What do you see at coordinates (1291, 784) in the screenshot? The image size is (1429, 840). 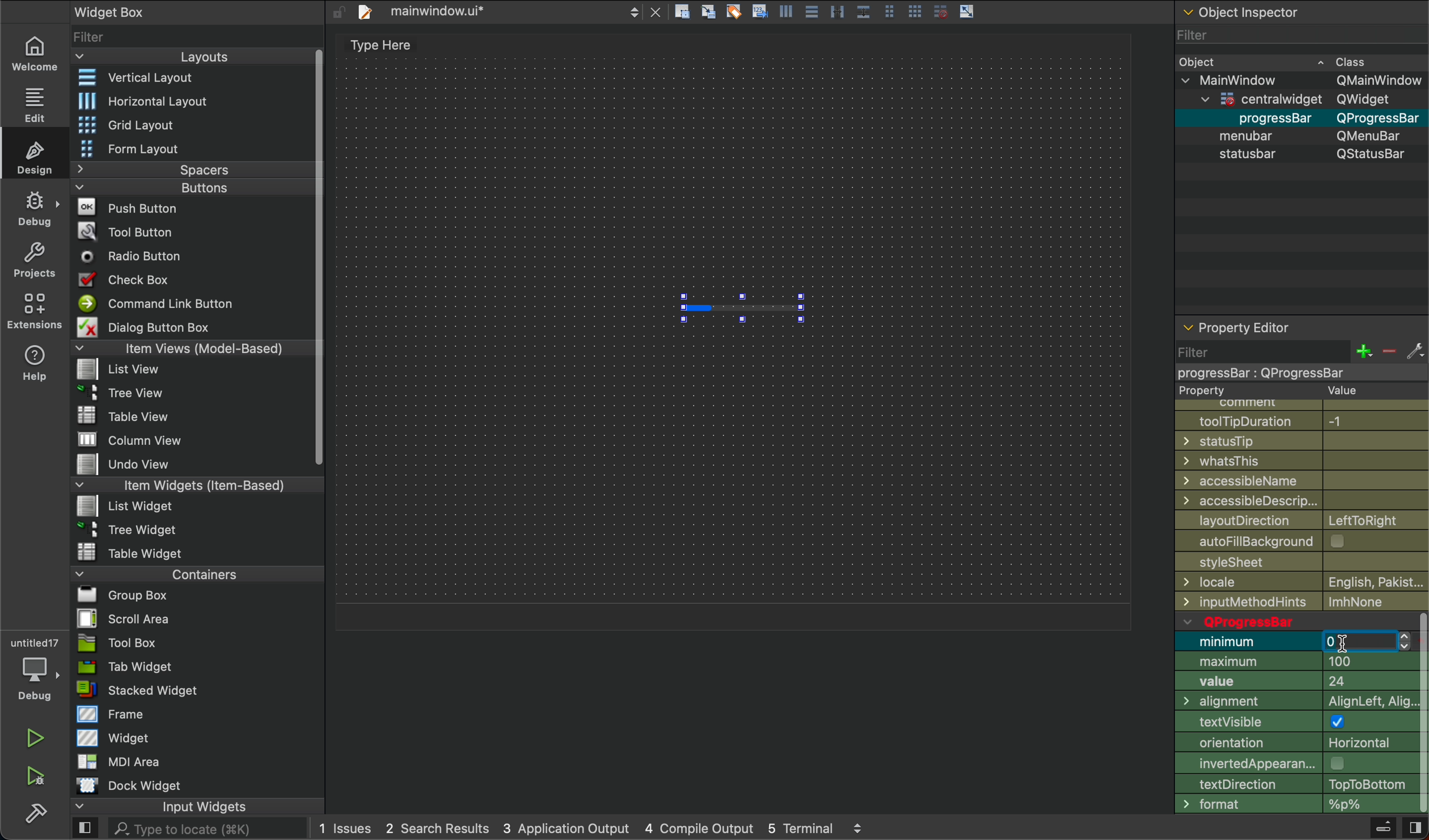 I see `Direction ` at bounding box center [1291, 784].